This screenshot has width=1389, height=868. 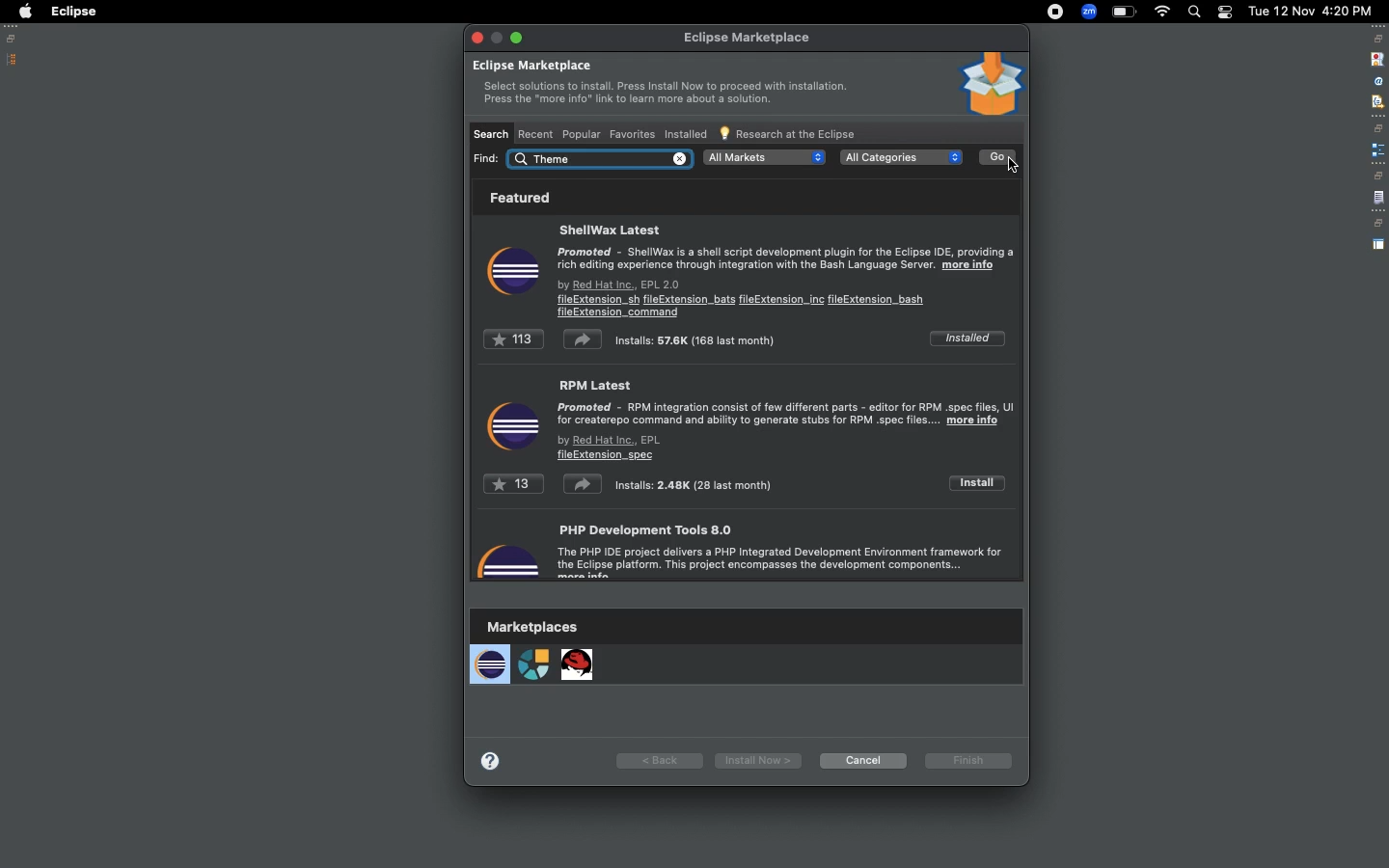 What do you see at coordinates (787, 420) in the screenshot?
I see `RPM latest` at bounding box center [787, 420].